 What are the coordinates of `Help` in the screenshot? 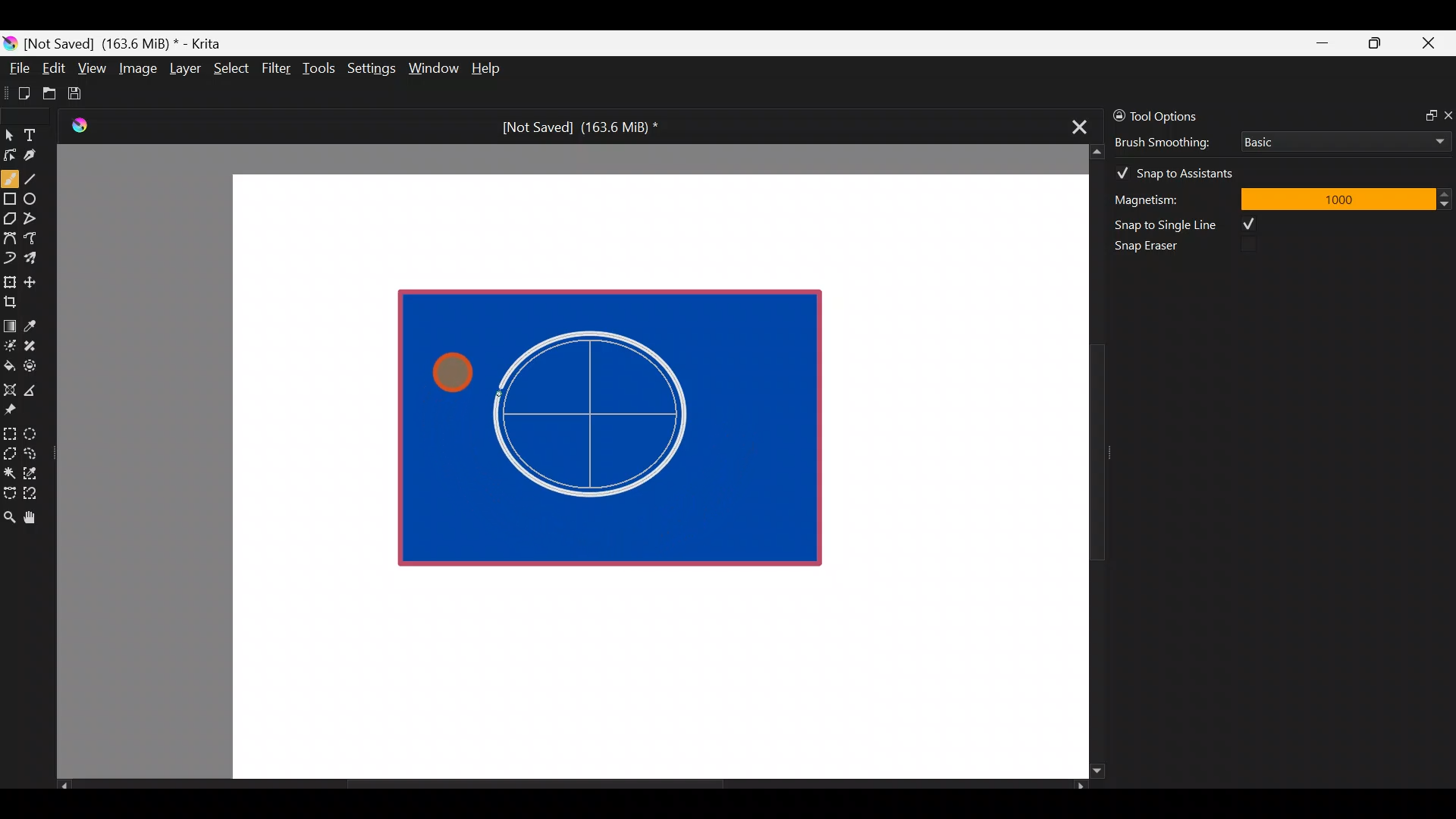 It's located at (488, 70).